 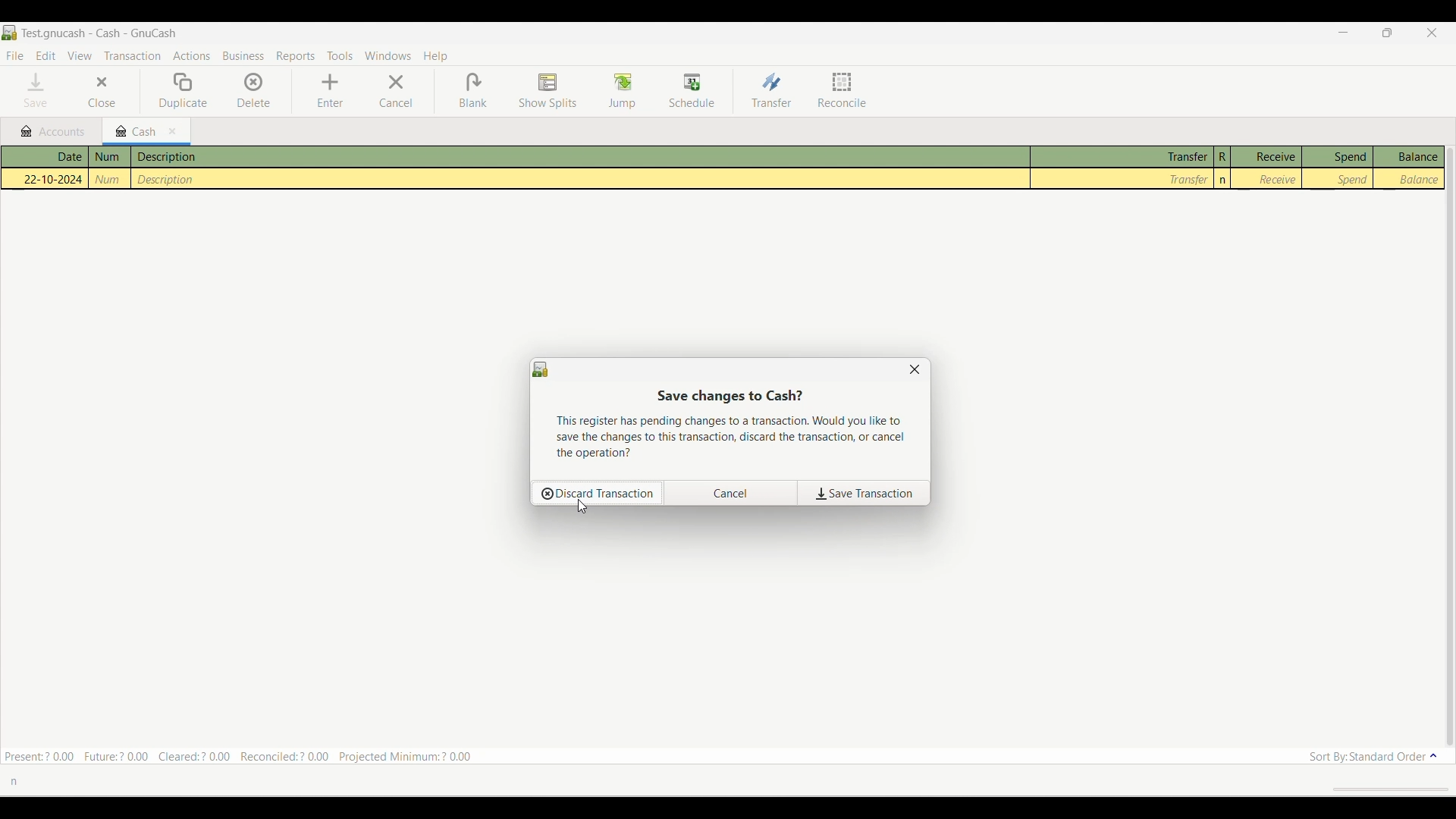 I want to click on Edit, so click(x=46, y=55).